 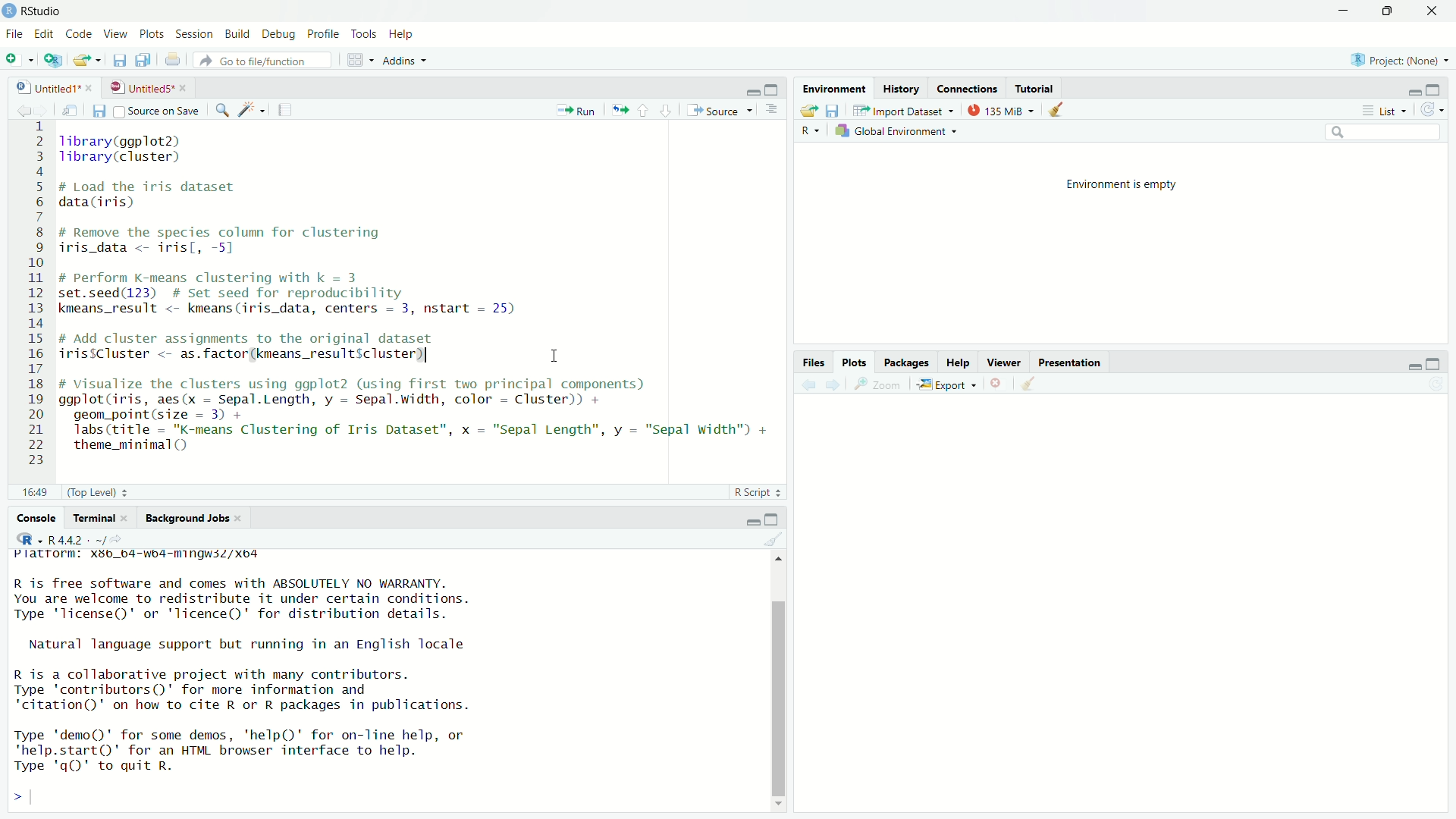 I want to click on packages, so click(x=908, y=361).